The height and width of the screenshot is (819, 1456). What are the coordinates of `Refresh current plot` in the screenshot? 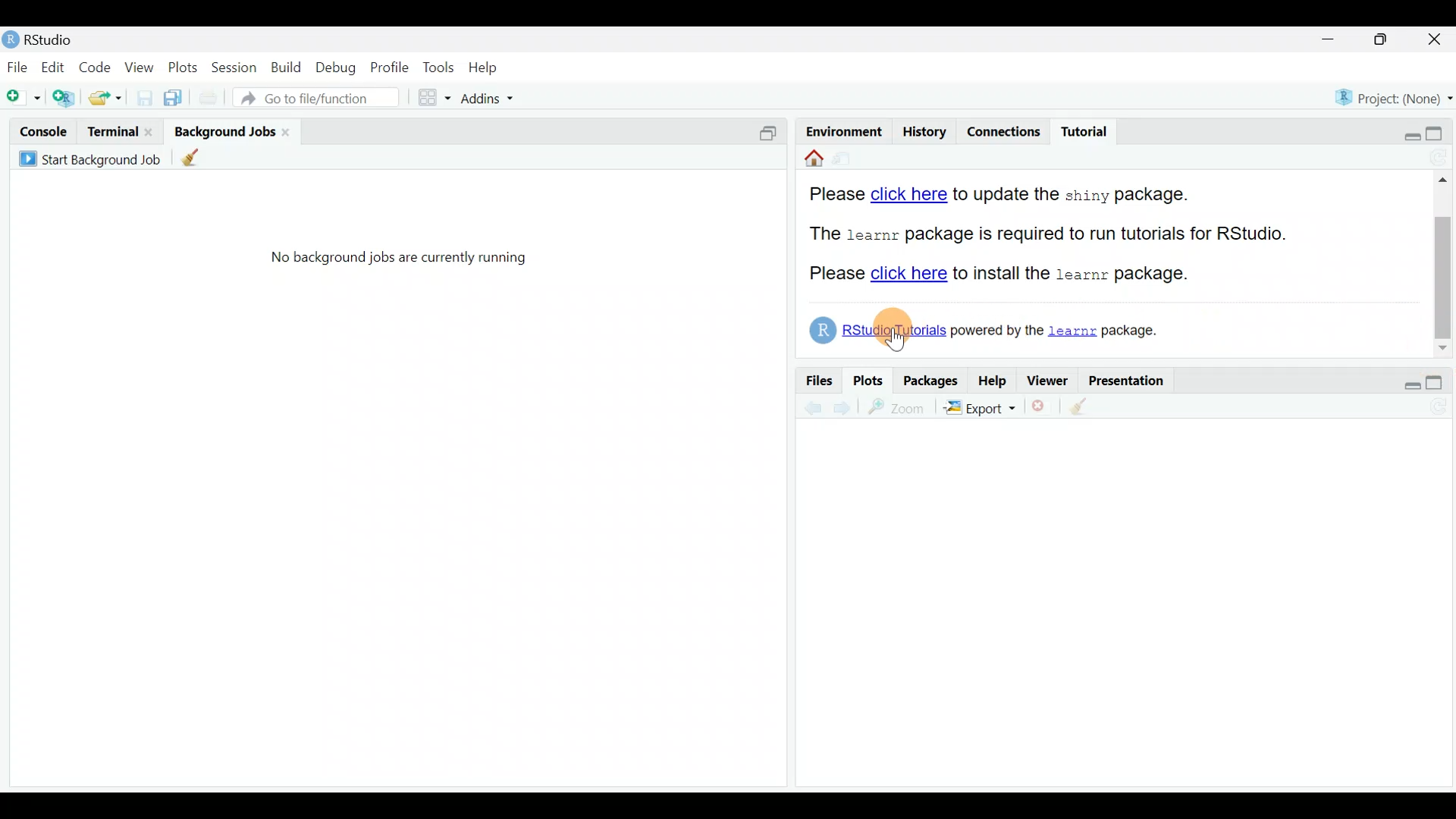 It's located at (1436, 404).